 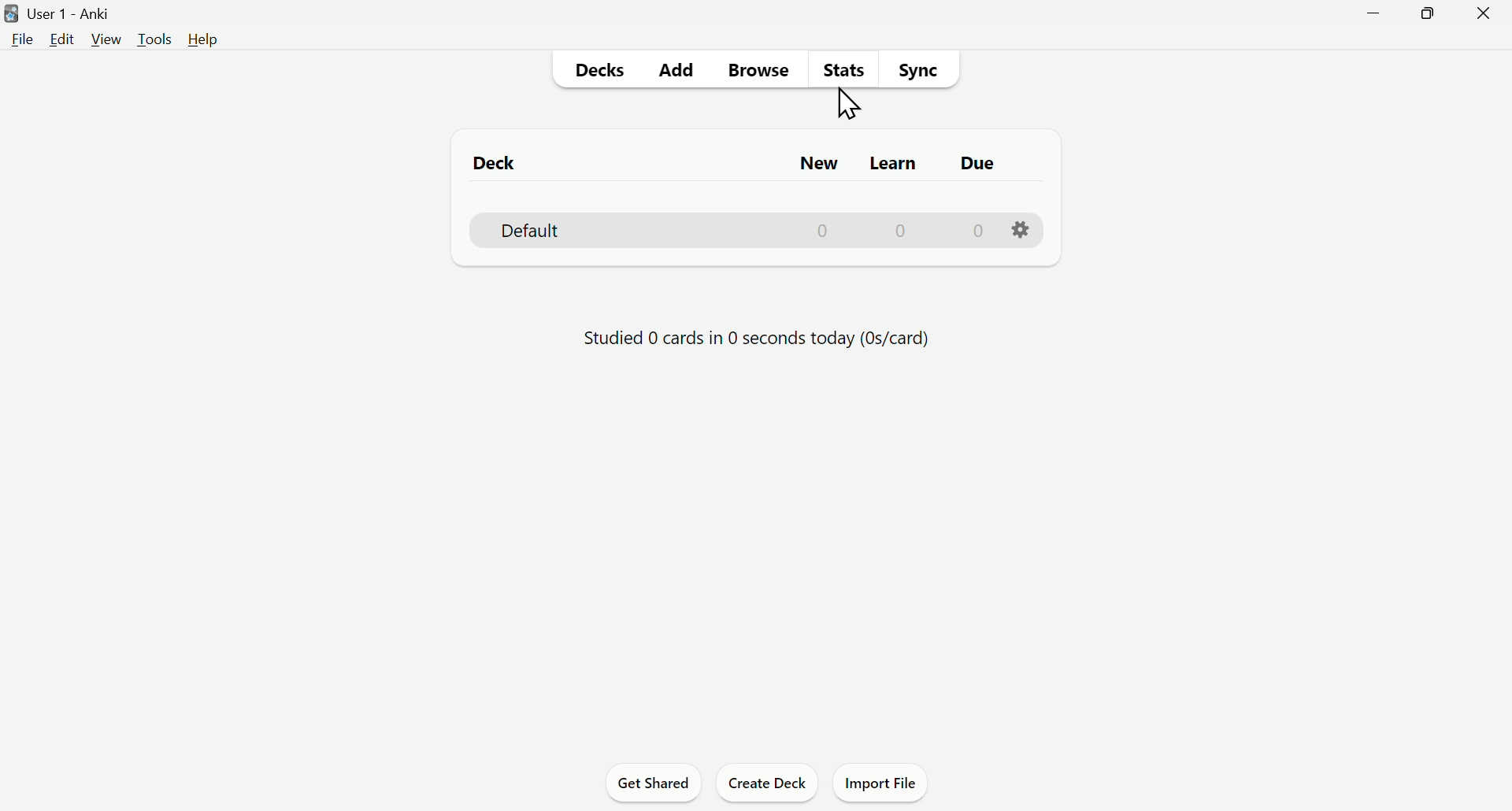 What do you see at coordinates (1486, 19) in the screenshot?
I see `Close` at bounding box center [1486, 19].